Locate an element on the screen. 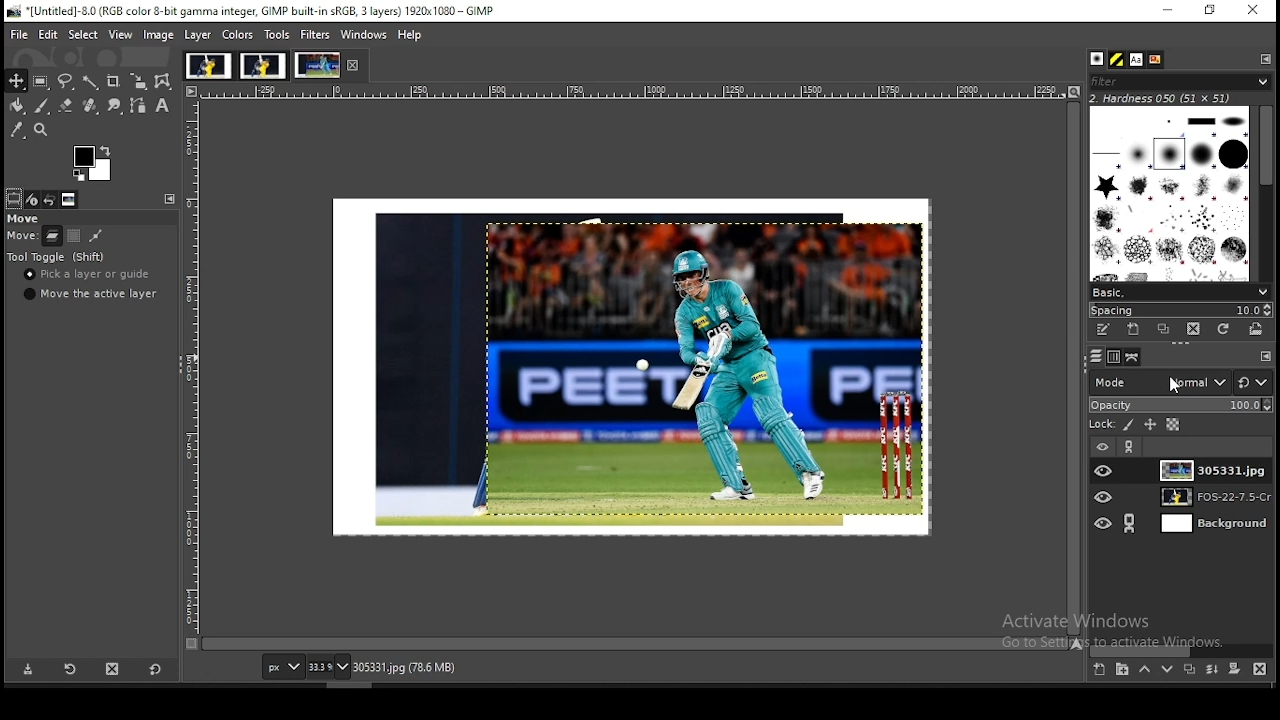 This screenshot has width=1280, height=720. layer visibility on/off is located at coordinates (1104, 525).